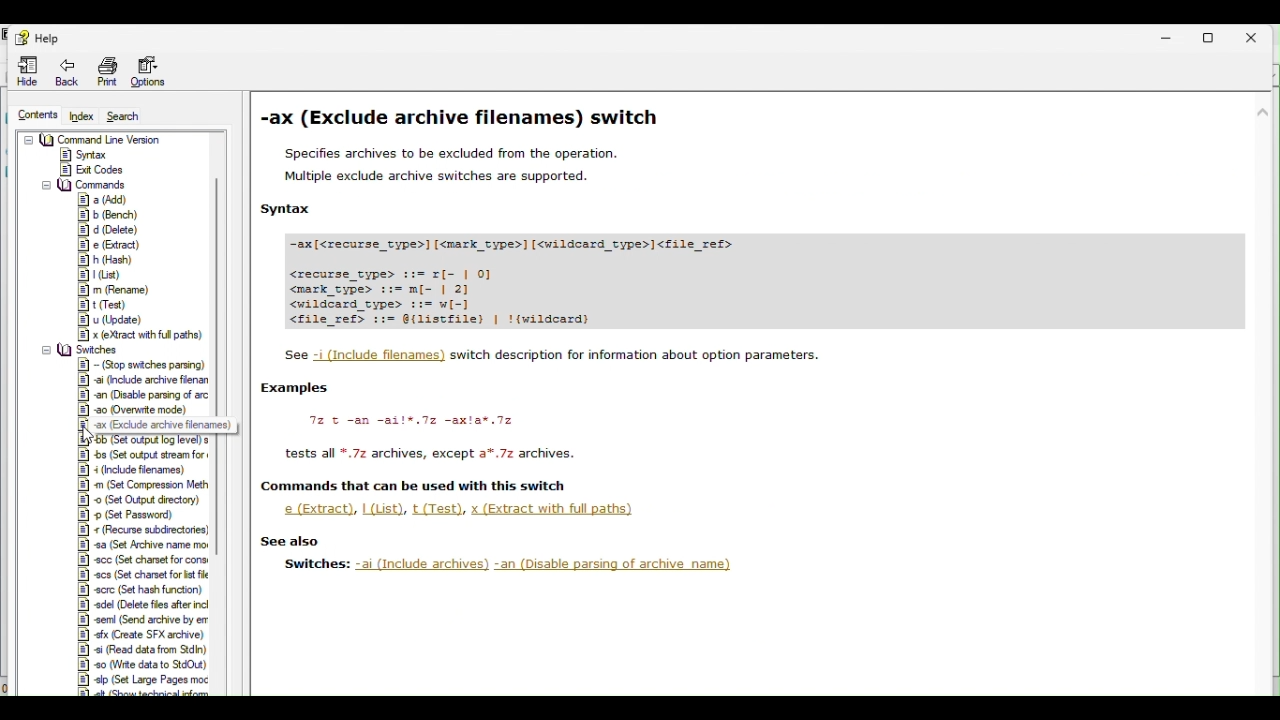  What do you see at coordinates (107, 215) in the screenshot?
I see `8] b (Bench)` at bounding box center [107, 215].